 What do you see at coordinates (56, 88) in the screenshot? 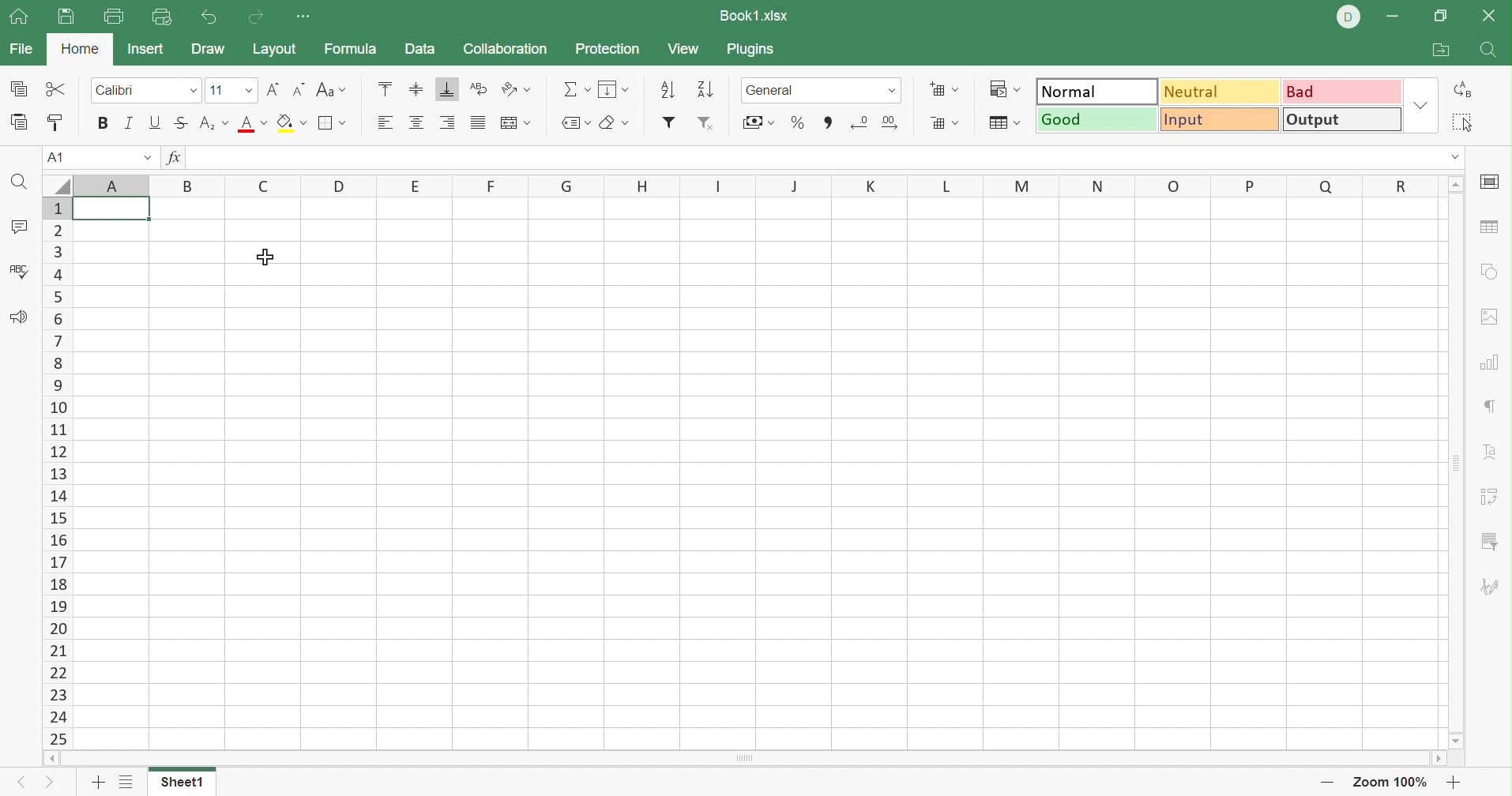
I see `Cut` at bounding box center [56, 88].